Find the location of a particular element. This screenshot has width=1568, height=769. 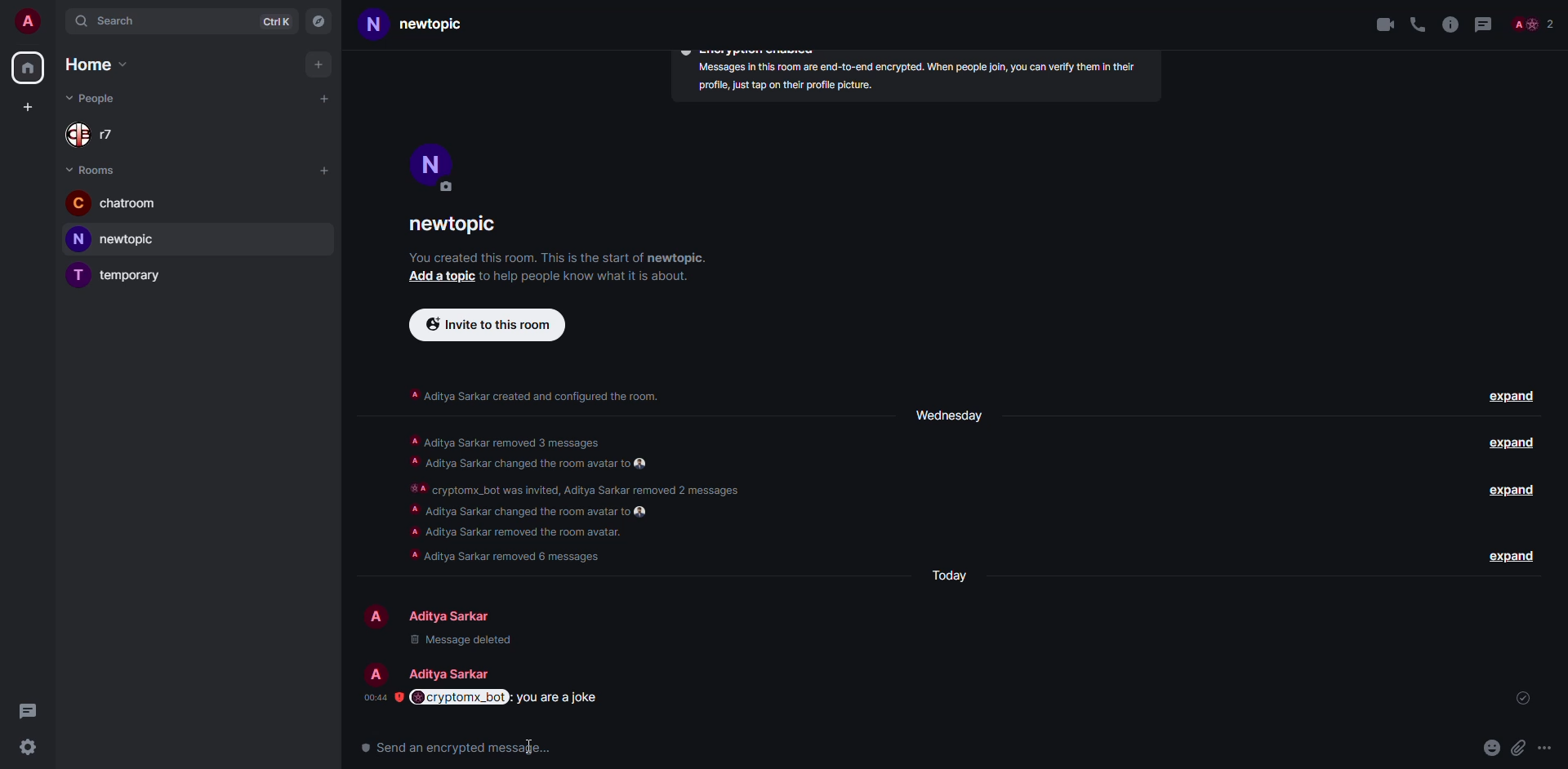

ctrlK is located at coordinates (275, 21).